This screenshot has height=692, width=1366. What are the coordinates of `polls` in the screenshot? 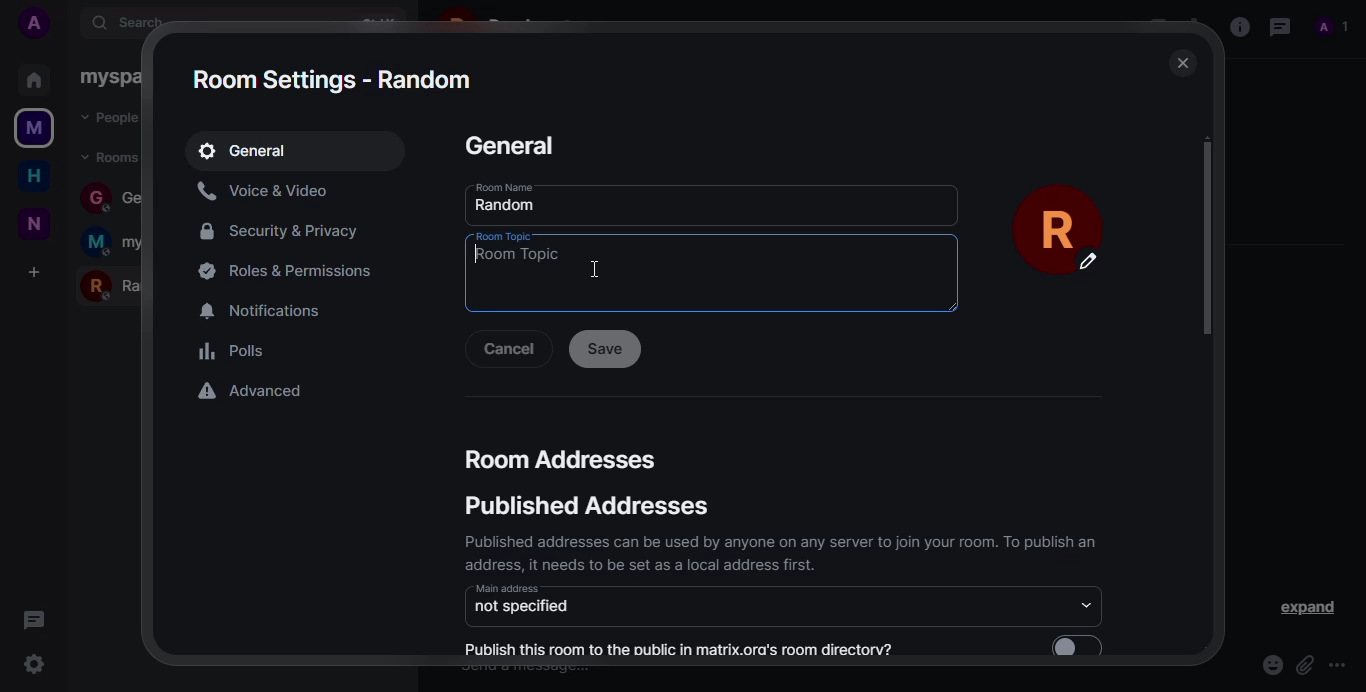 It's located at (231, 351).